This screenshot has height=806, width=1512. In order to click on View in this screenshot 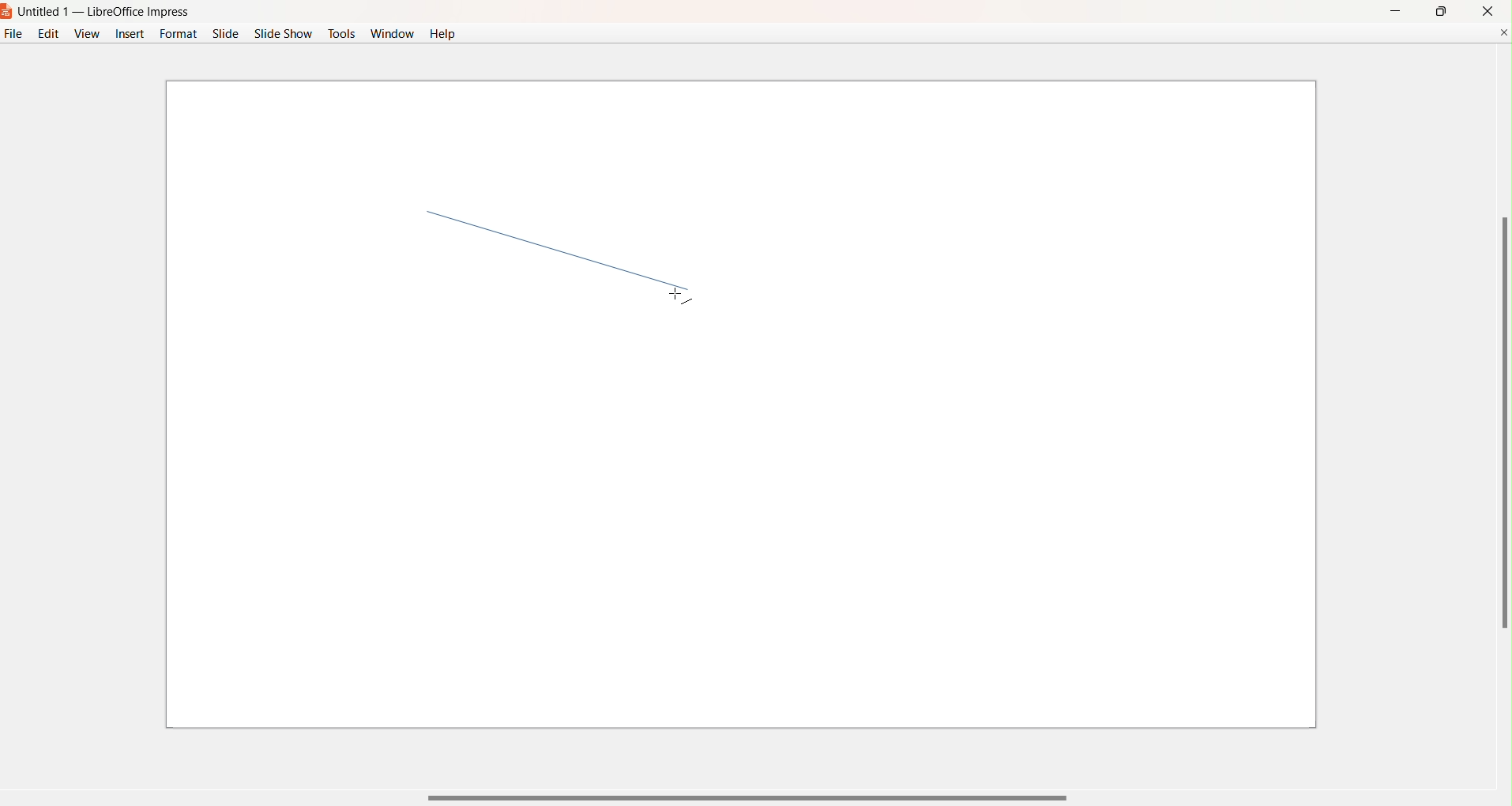, I will do `click(86, 33)`.